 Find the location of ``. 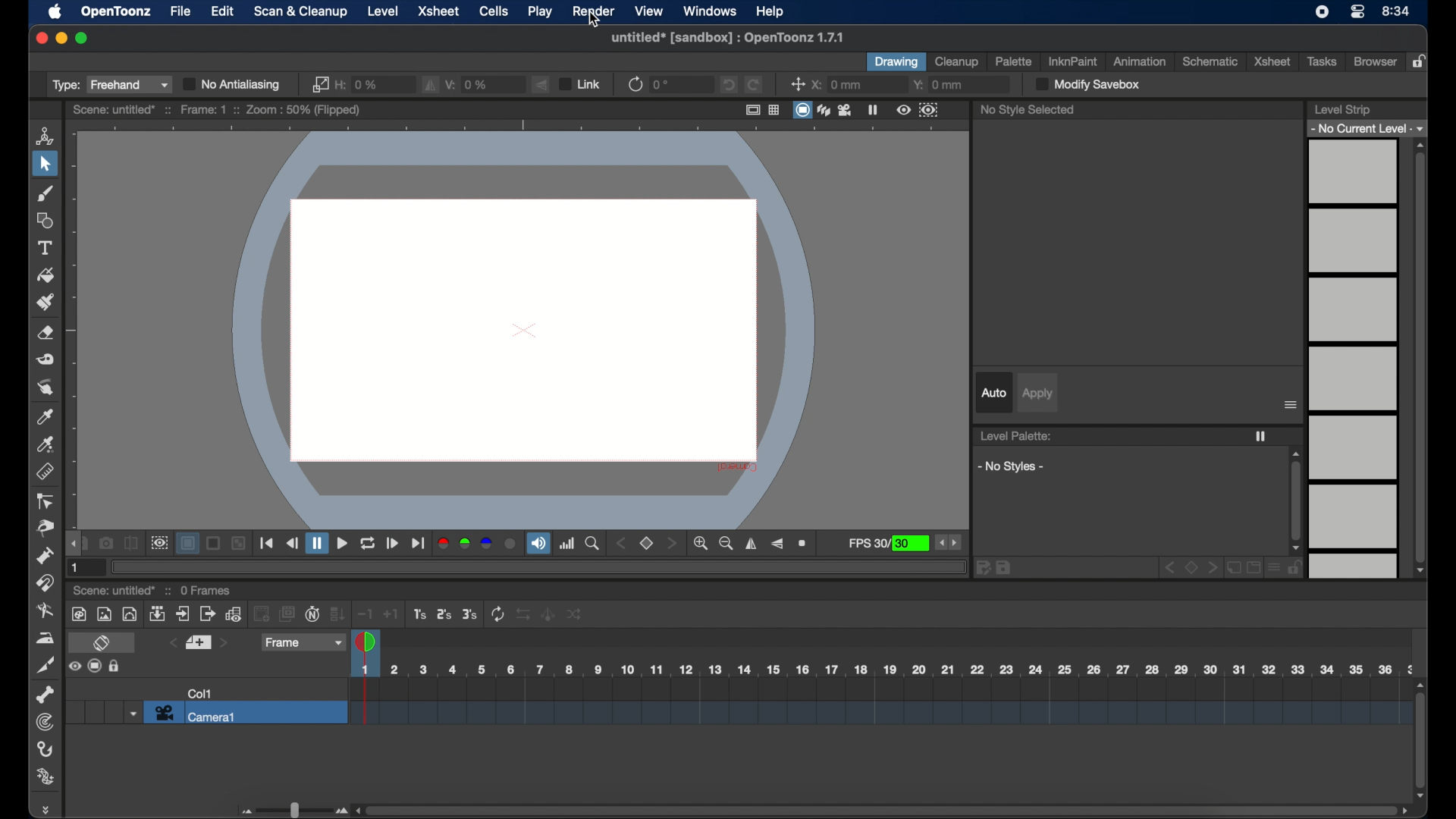

 is located at coordinates (291, 544).